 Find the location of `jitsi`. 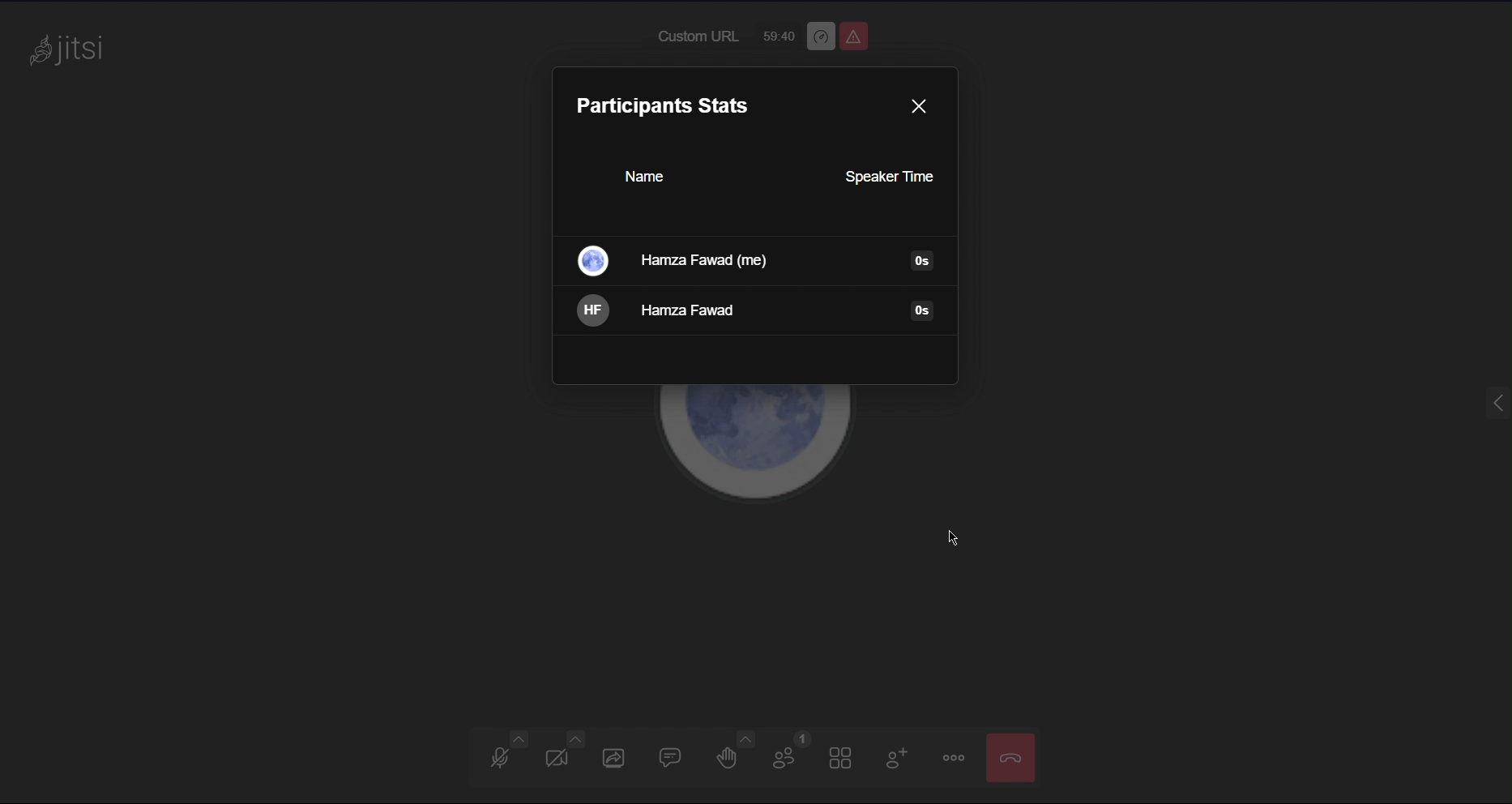

jitsi is located at coordinates (70, 45).